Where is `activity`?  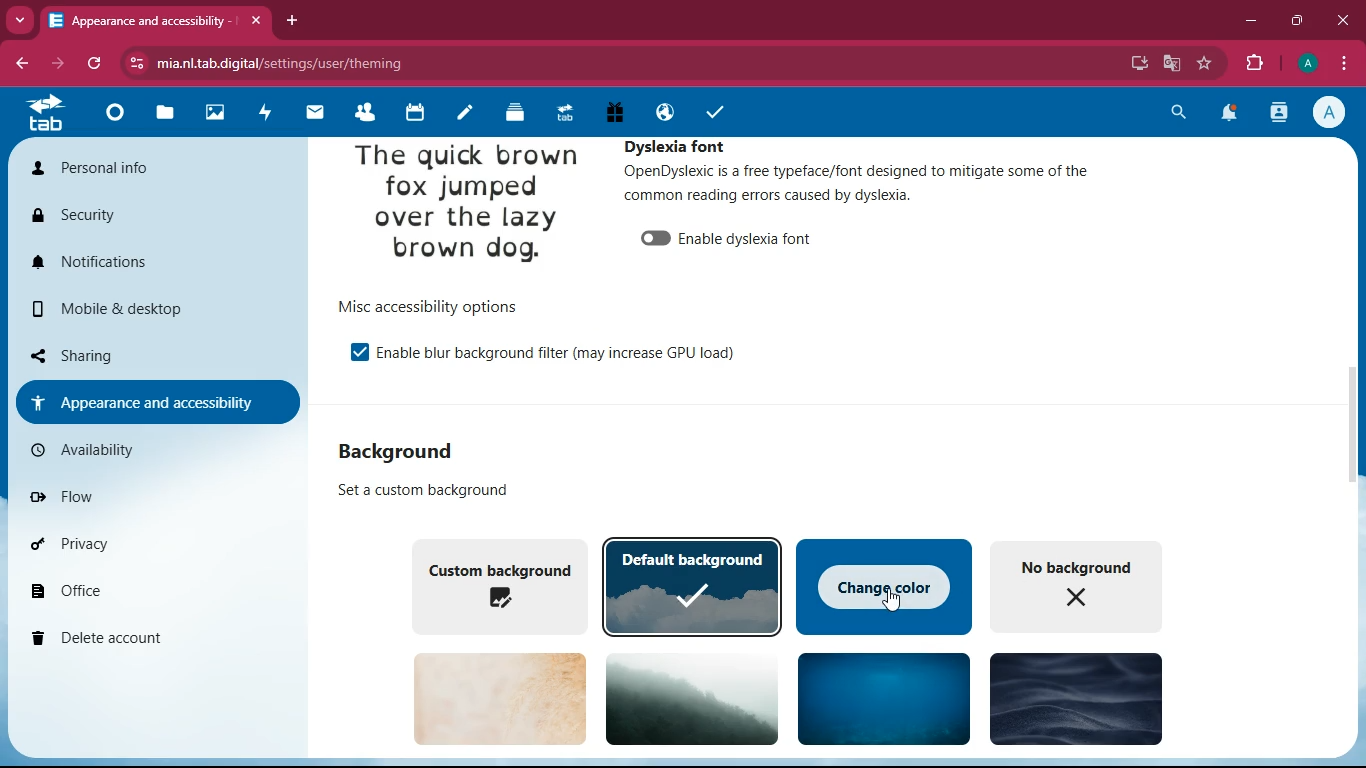
activity is located at coordinates (1281, 112).